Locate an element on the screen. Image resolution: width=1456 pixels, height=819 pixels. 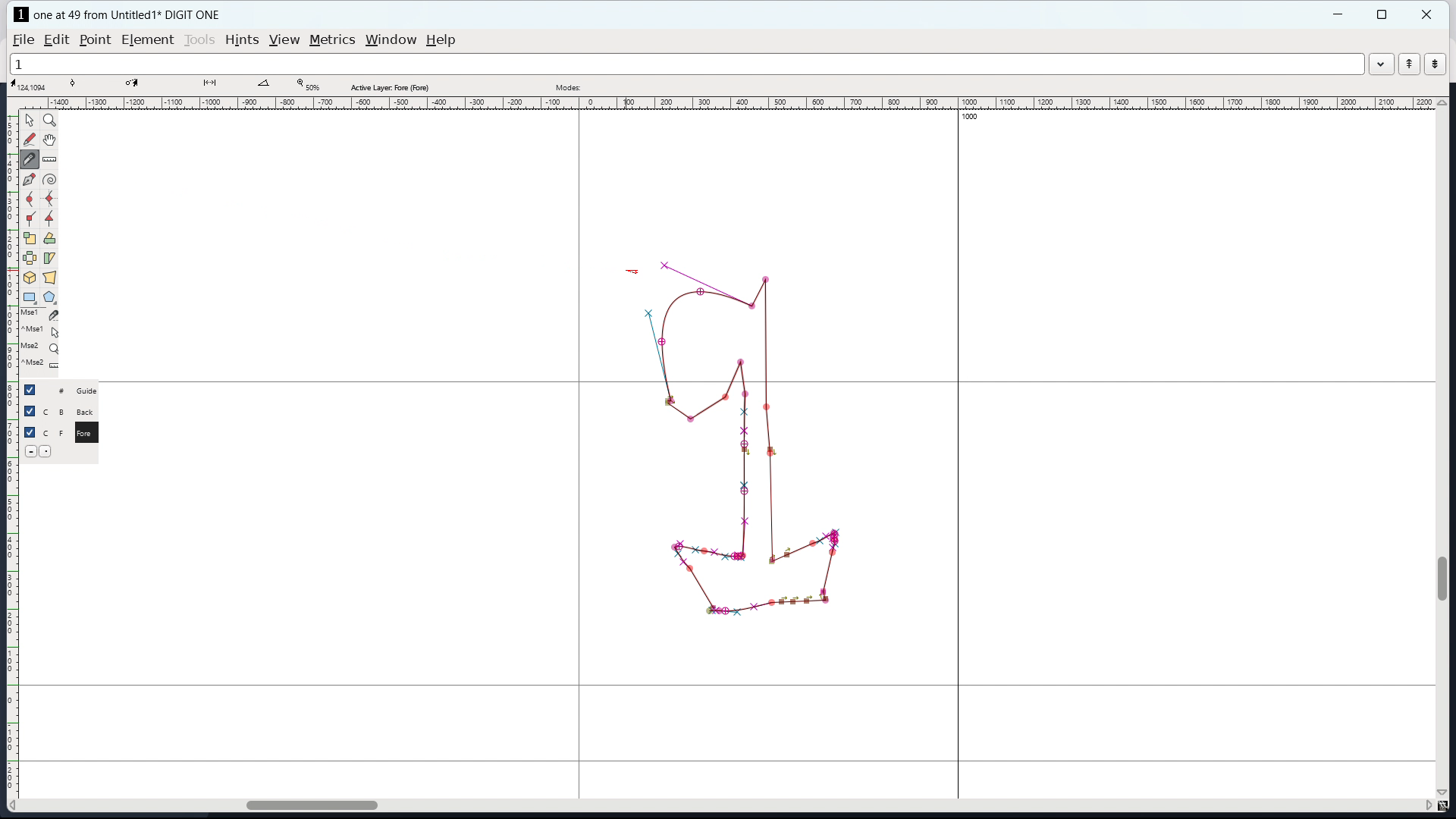
scroll left is located at coordinates (16, 805).